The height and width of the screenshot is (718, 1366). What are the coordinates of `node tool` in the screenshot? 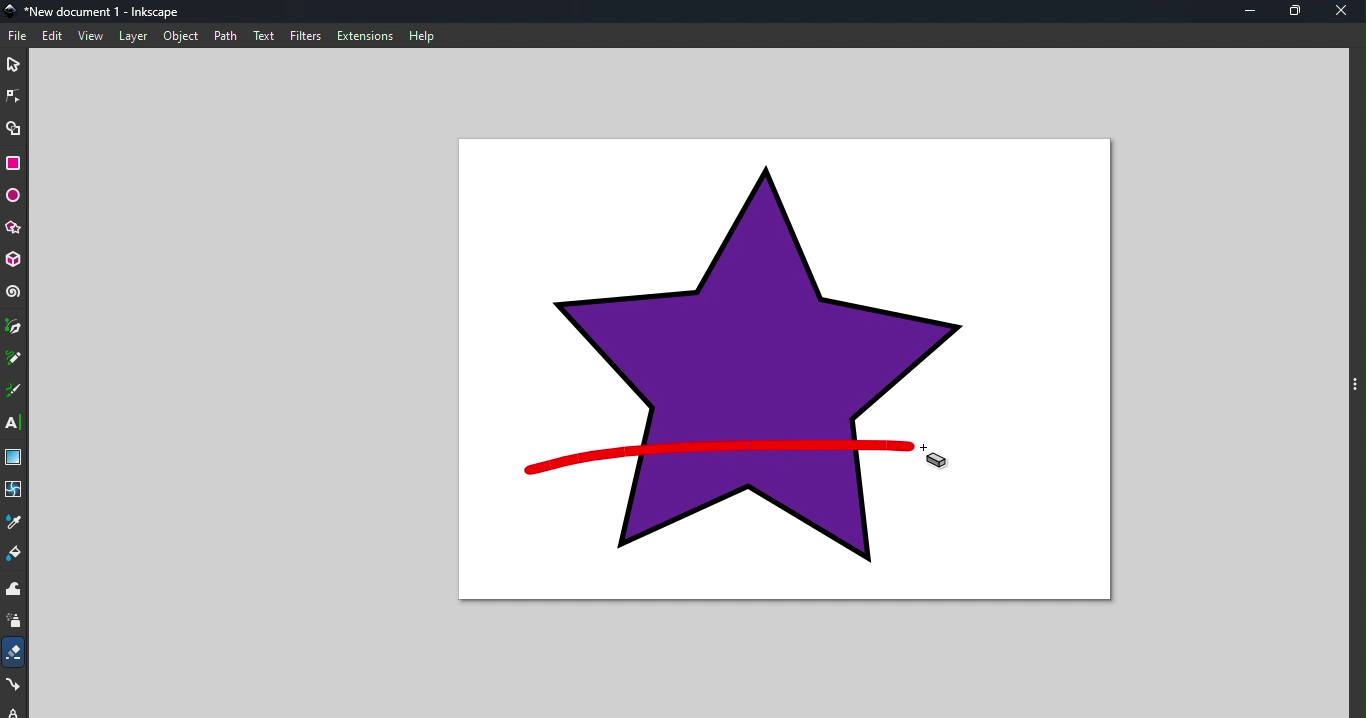 It's located at (15, 95).